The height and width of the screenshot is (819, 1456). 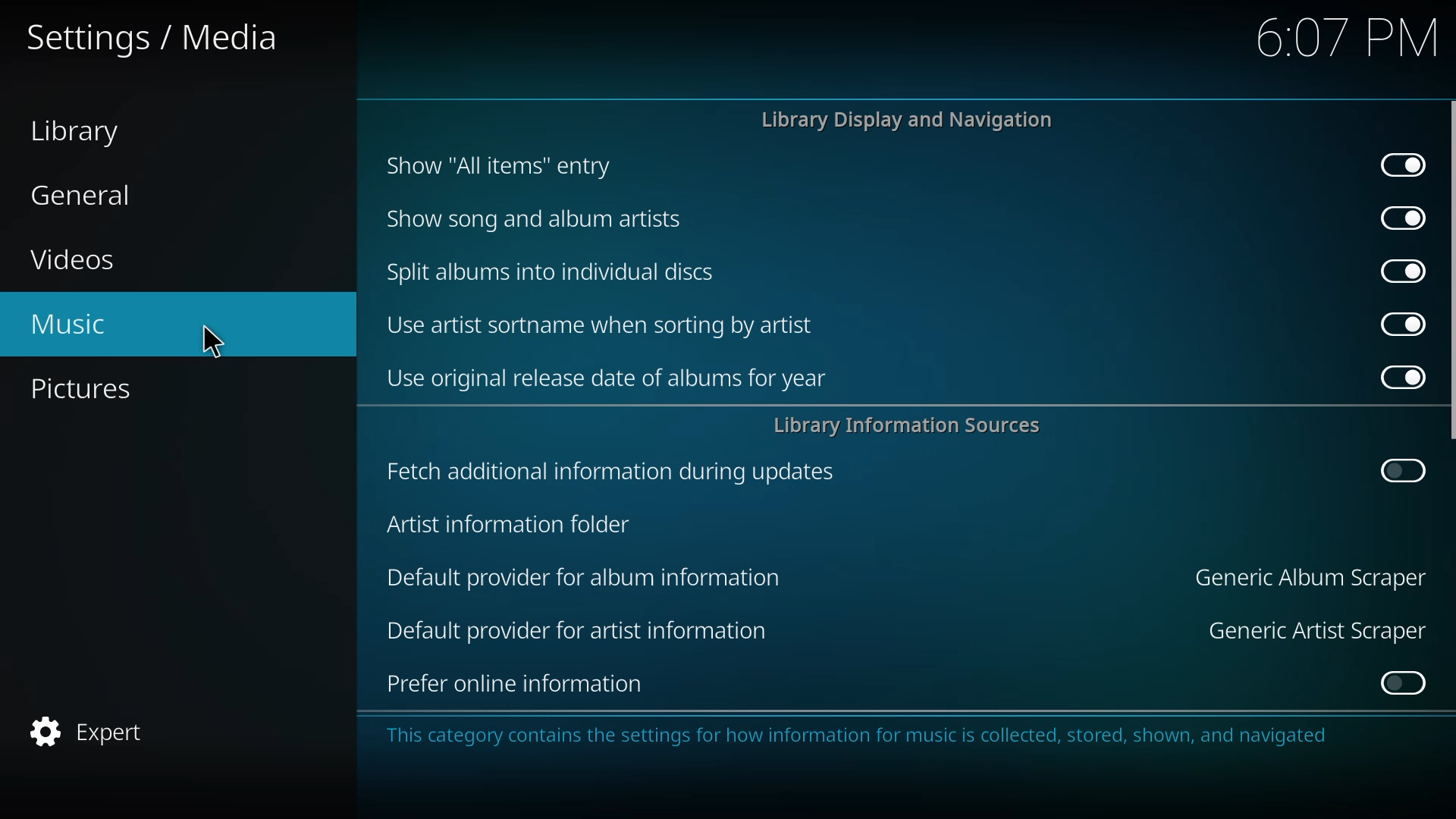 I want to click on Default provider for artist information, so click(x=576, y=633).